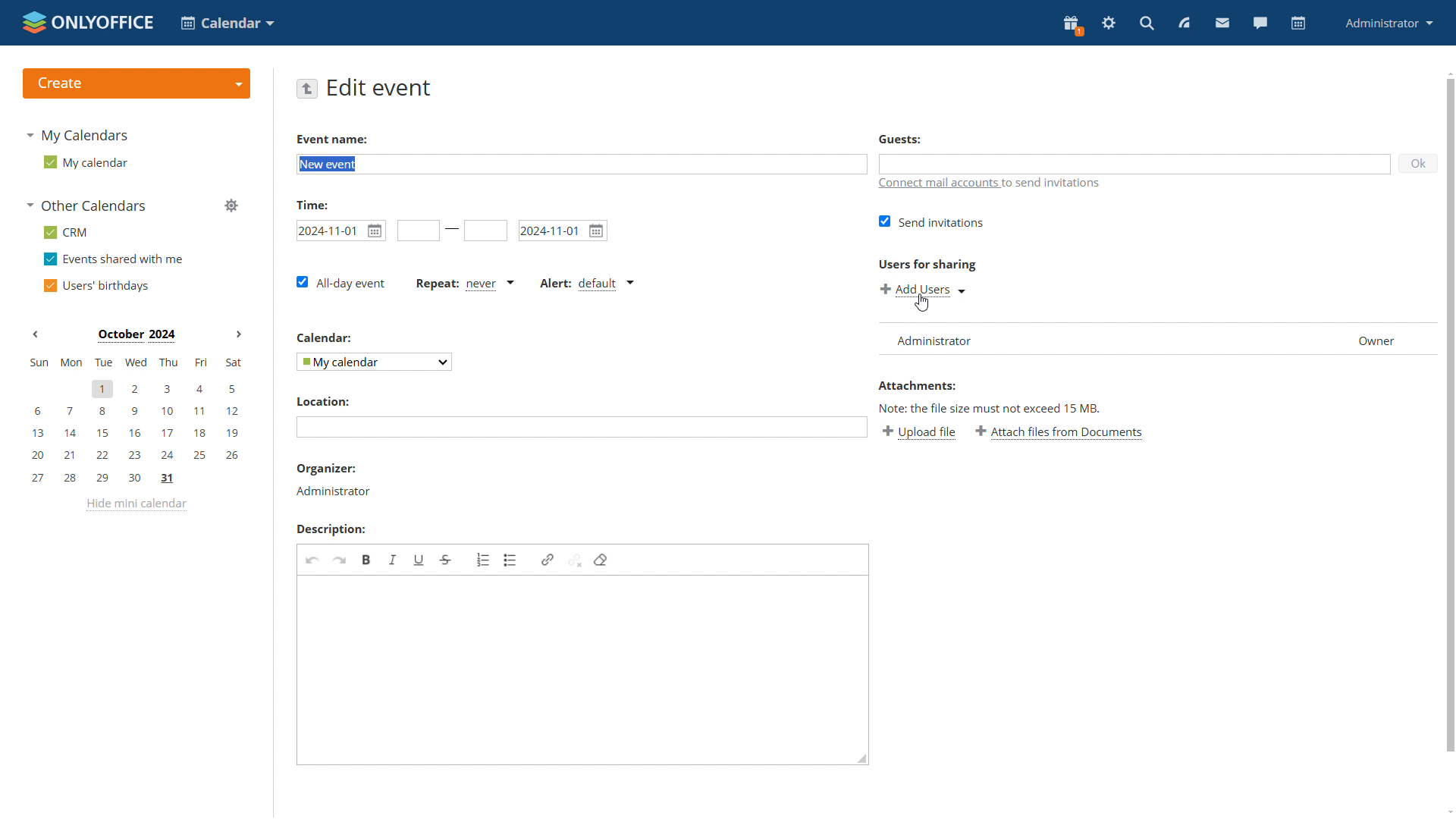 The width and height of the screenshot is (1456, 819). Describe the element at coordinates (230, 24) in the screenshot. I see `select application` at that location.